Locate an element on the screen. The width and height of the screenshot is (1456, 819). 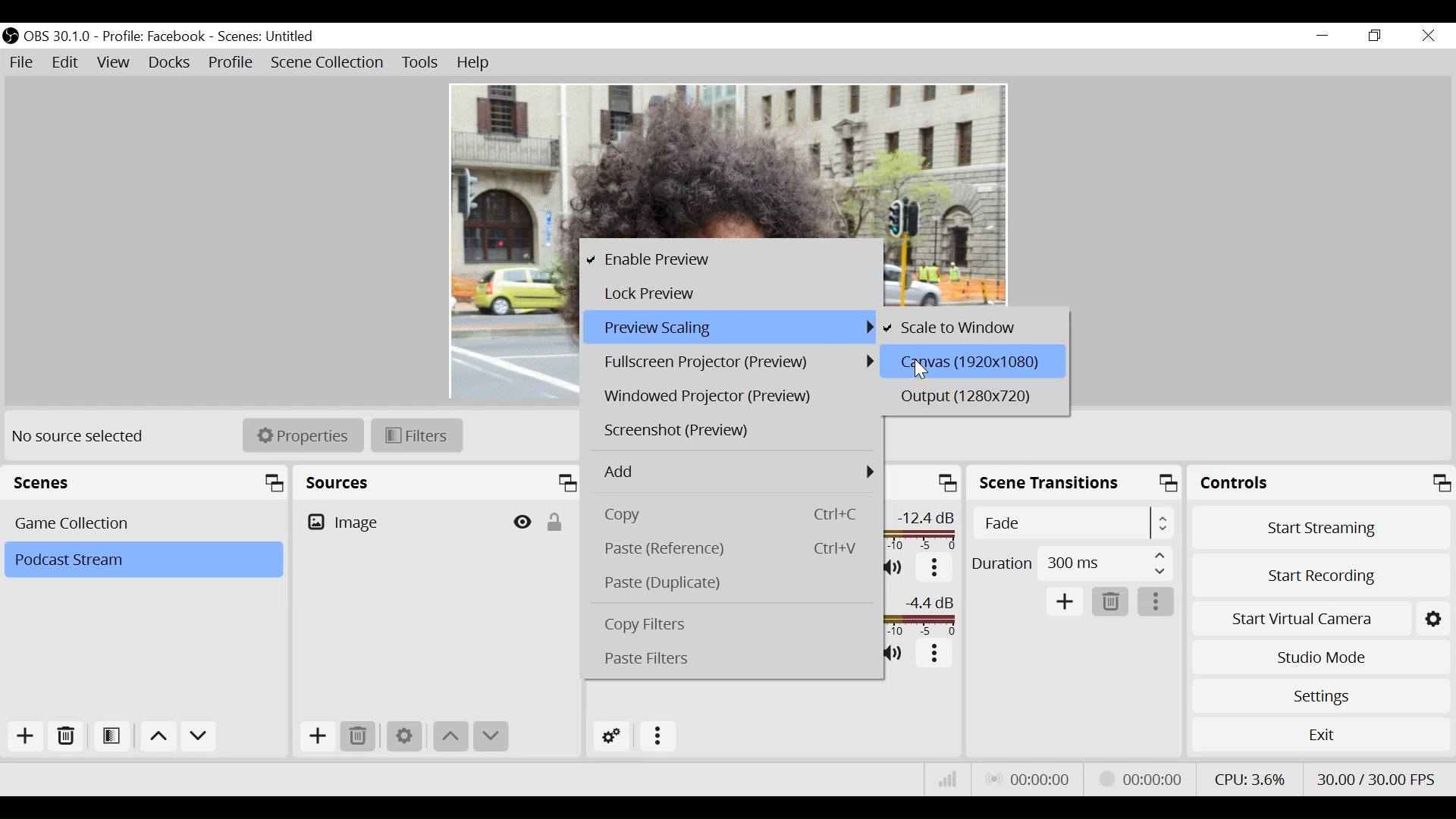
Exit is located at coordinates (1323, 737).